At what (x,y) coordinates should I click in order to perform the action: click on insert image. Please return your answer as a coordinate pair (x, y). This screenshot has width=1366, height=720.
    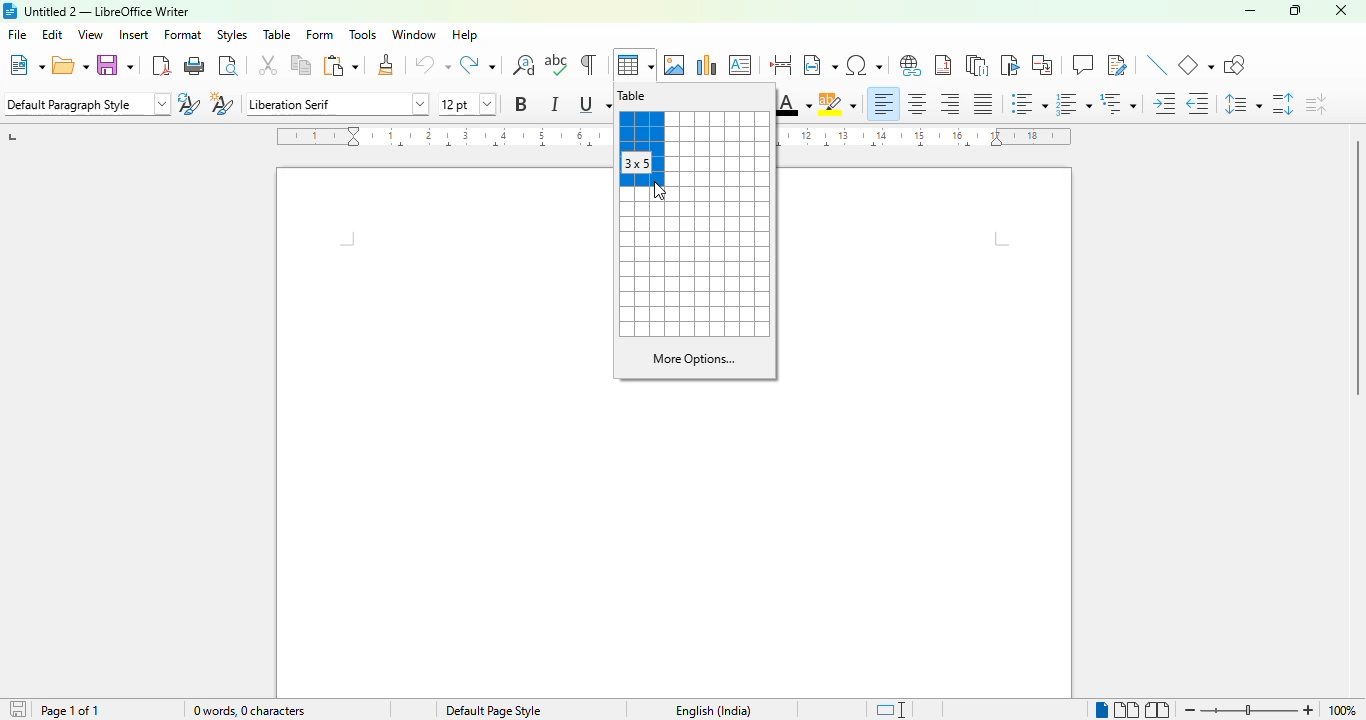
    Looking at the image, I should click on (674, 65).